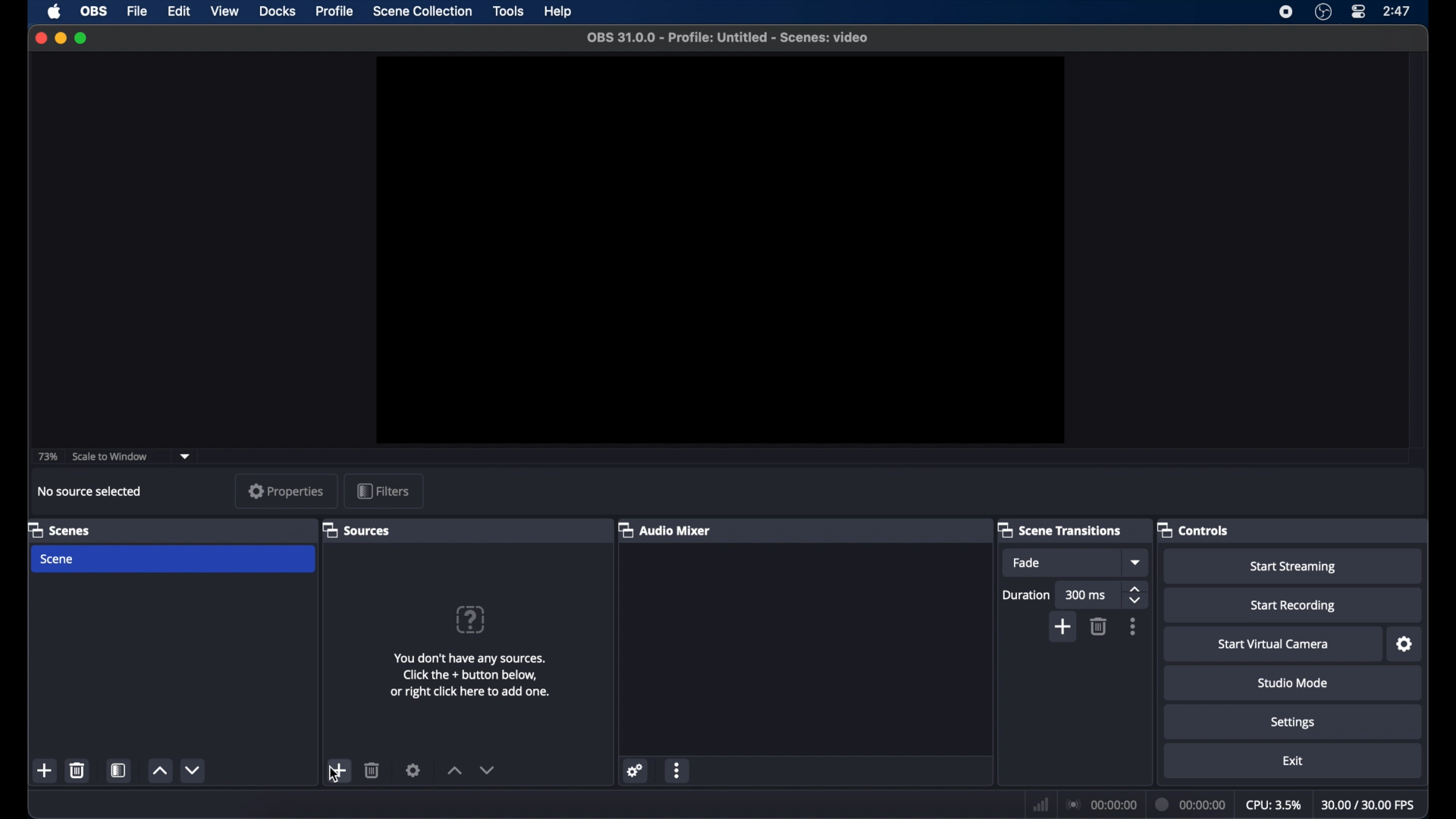 The height and width of the screenshot is (819, 1456). I want to click on delete, so click(77, 770).